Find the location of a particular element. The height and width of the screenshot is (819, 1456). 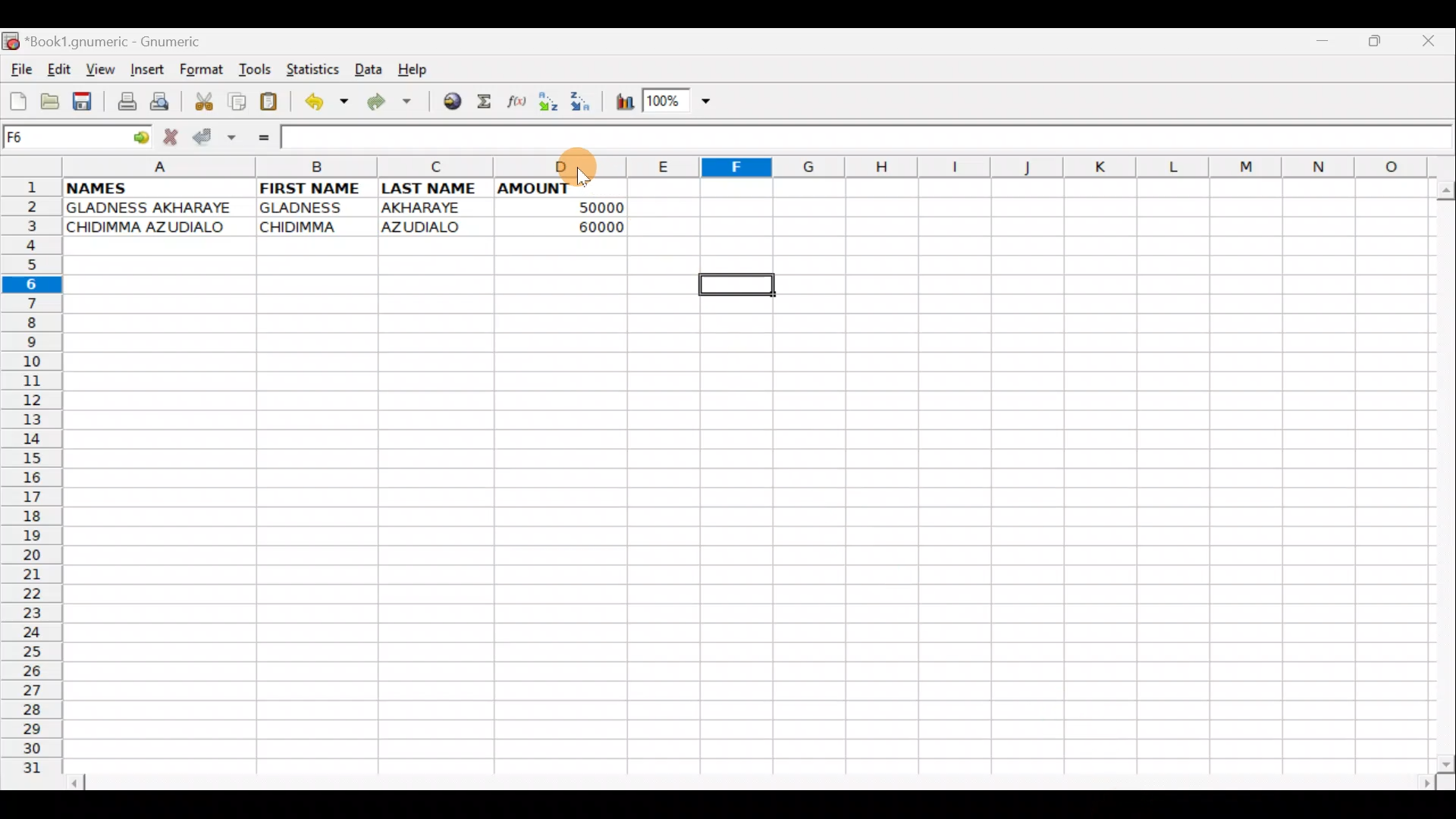

Accept change is located at coordinates (215, 137).